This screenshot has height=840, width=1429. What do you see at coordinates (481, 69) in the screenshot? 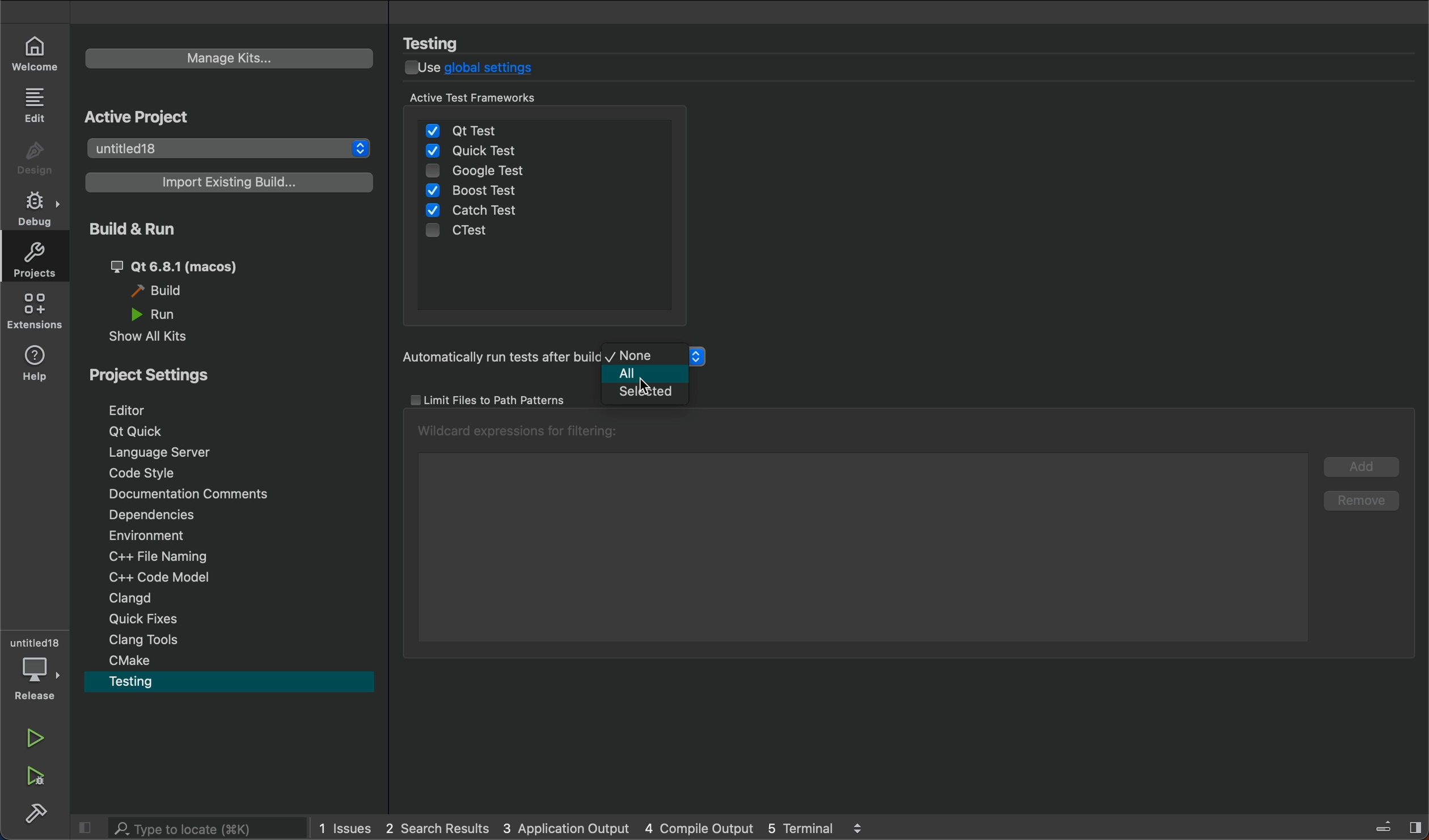
I see `use global setting ` at bounding box center [481, 69].